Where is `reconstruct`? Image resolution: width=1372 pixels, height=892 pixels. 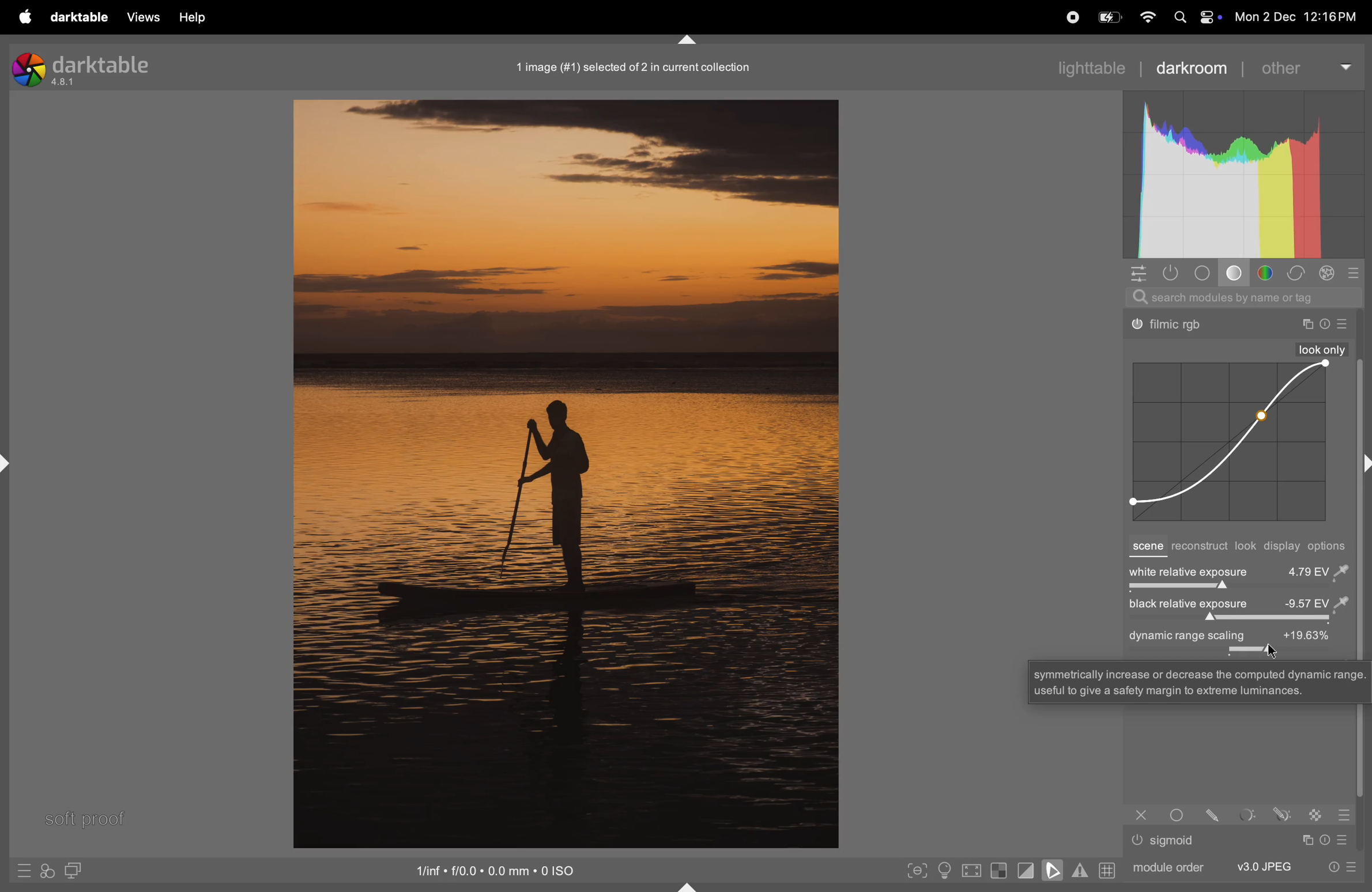
reconstruct is located at coordinates (1199, 547).